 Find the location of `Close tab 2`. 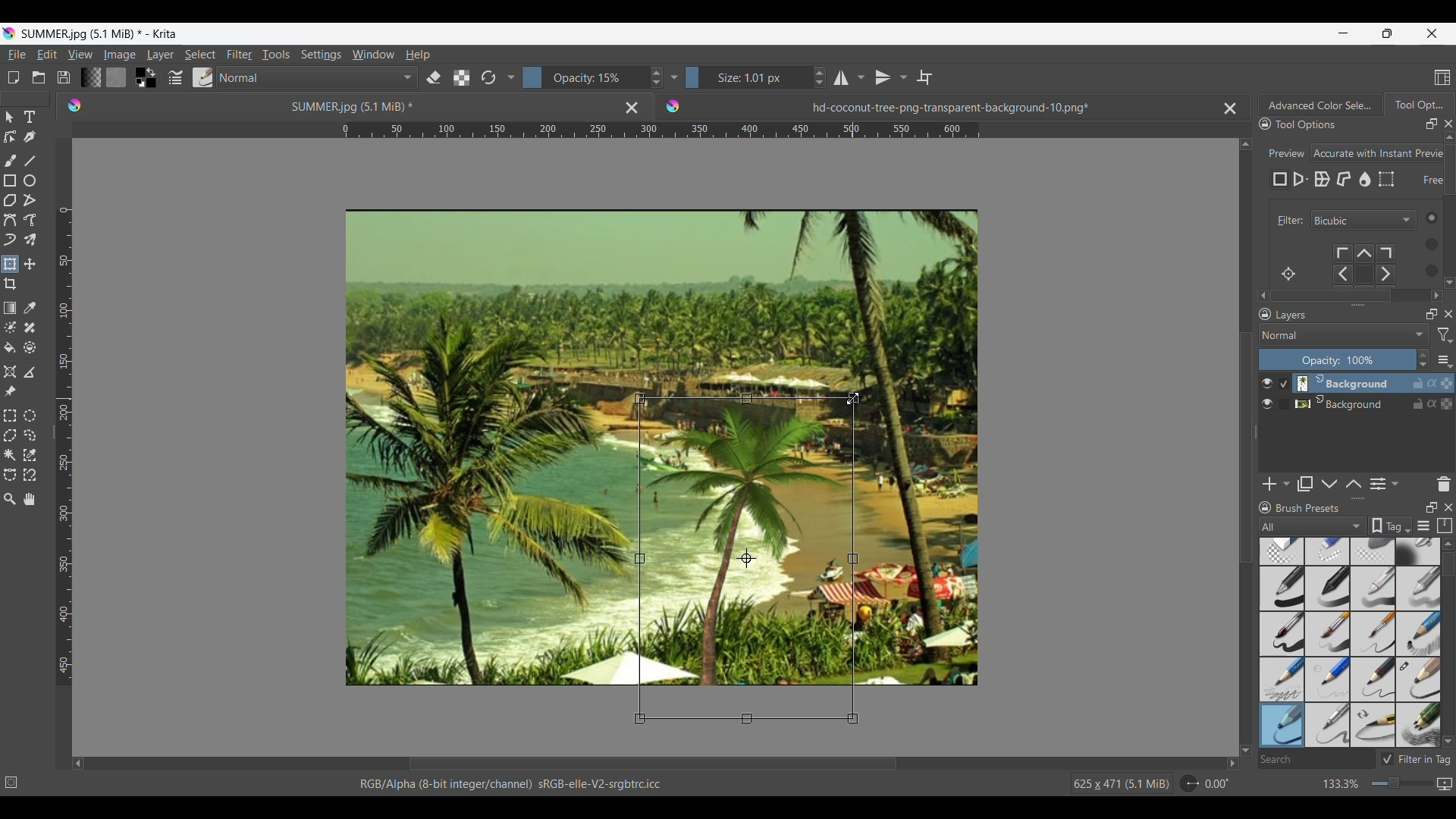

Close tab 2 is located at coordinates (1230, 108).